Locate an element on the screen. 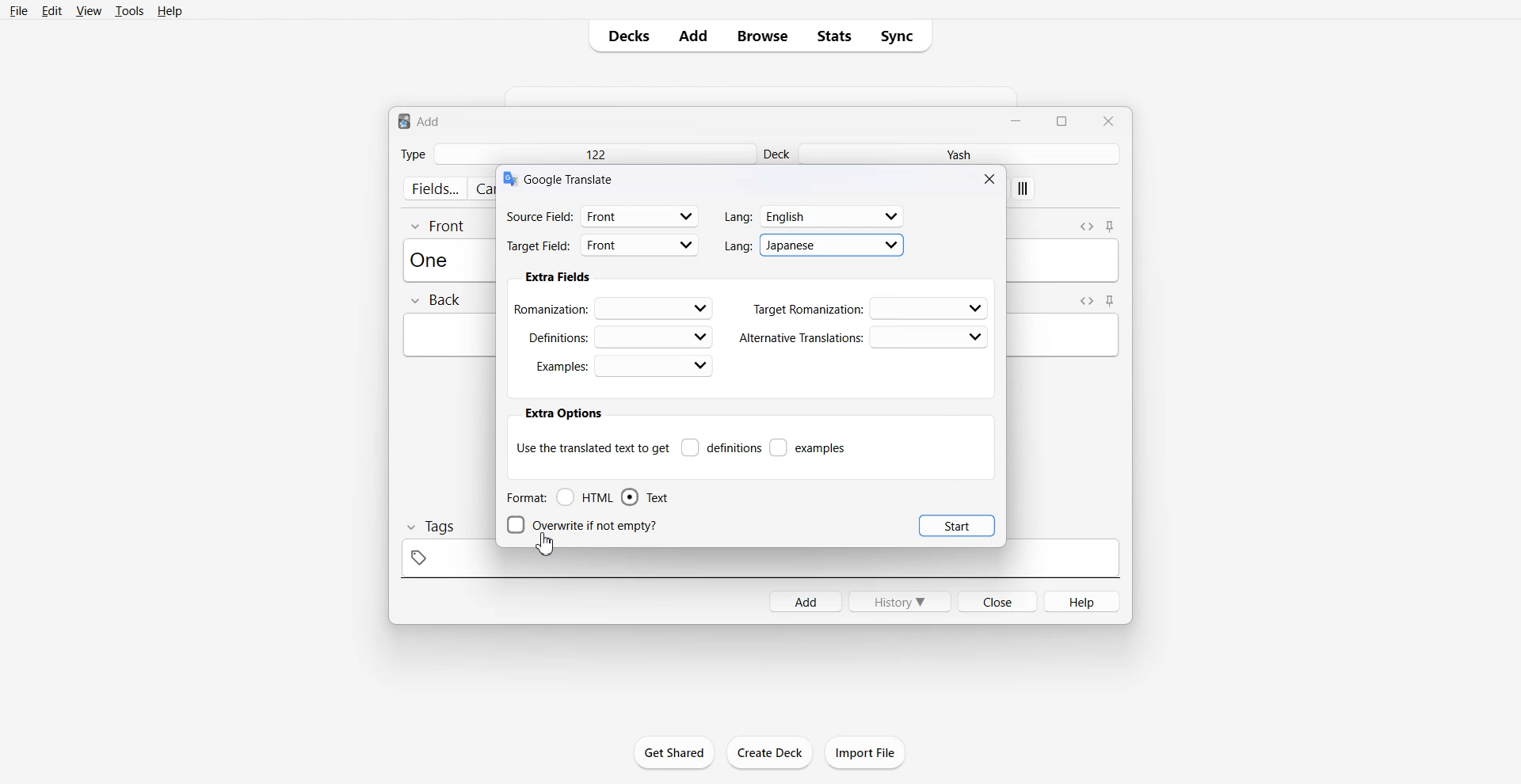 The height and width of the screenshot is (784, 1521). Text is located at coordinates (434, 259).